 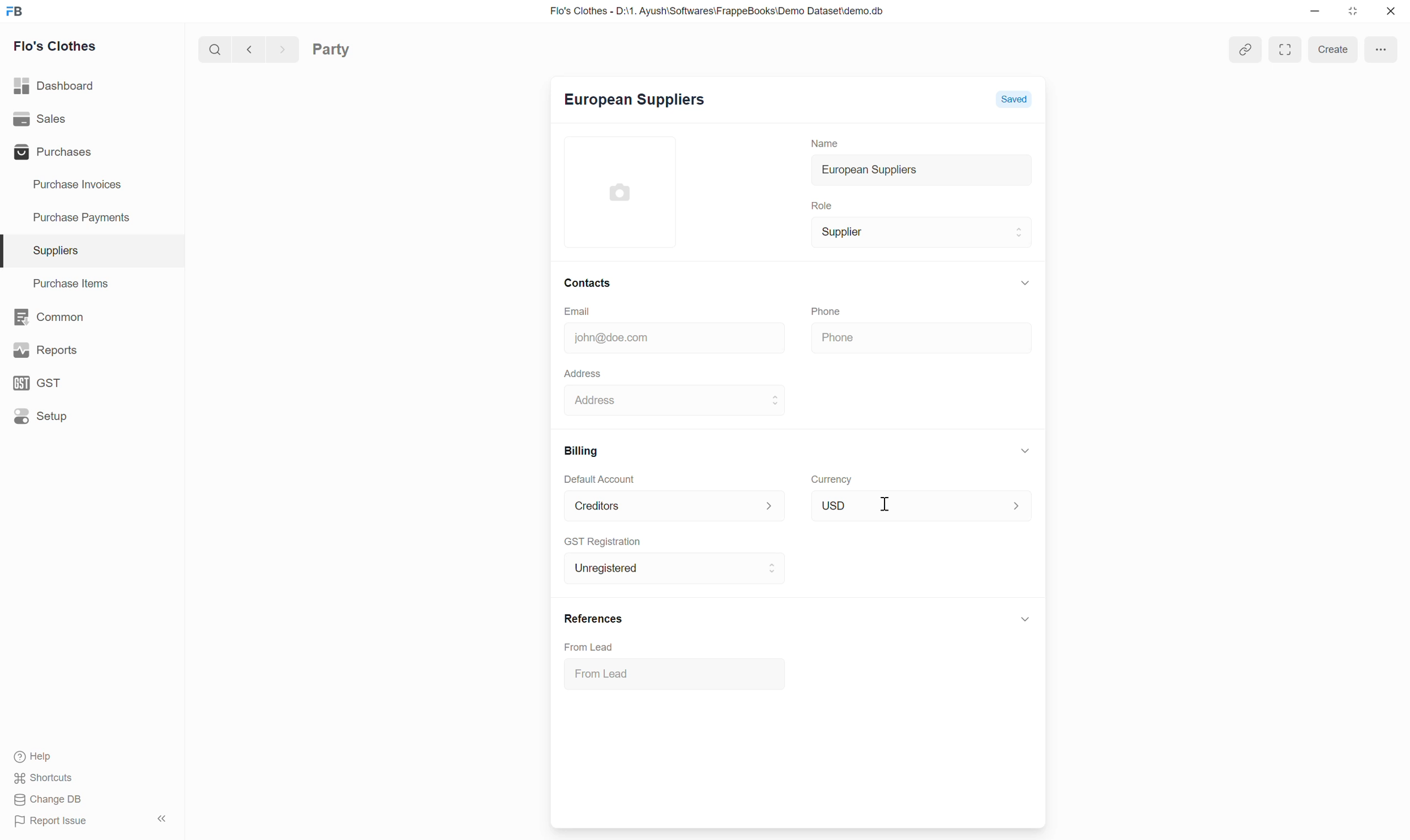 I want to click on European Suppliers, so click(x=860, y=169).